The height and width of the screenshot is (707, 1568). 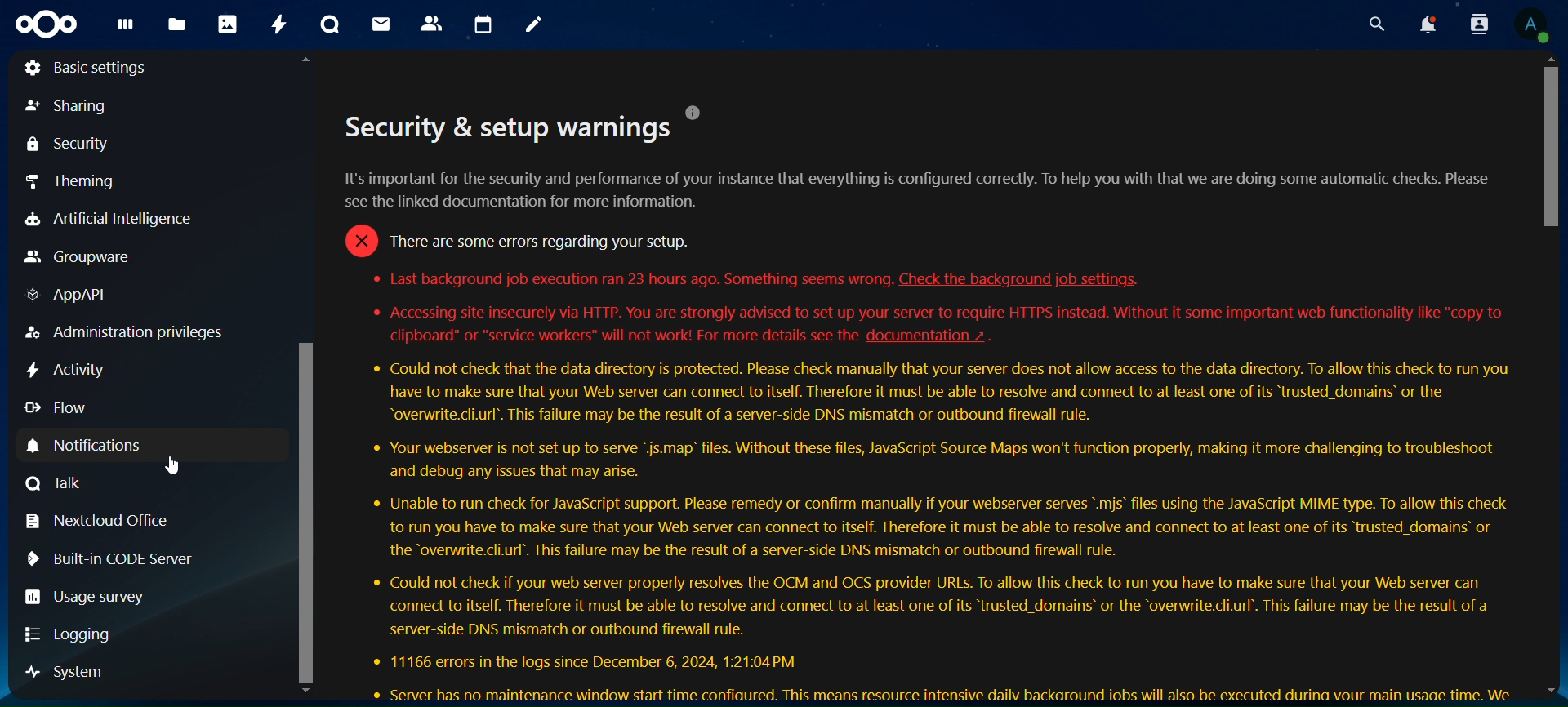 I want to click on theming, so click(x=73, y=184).